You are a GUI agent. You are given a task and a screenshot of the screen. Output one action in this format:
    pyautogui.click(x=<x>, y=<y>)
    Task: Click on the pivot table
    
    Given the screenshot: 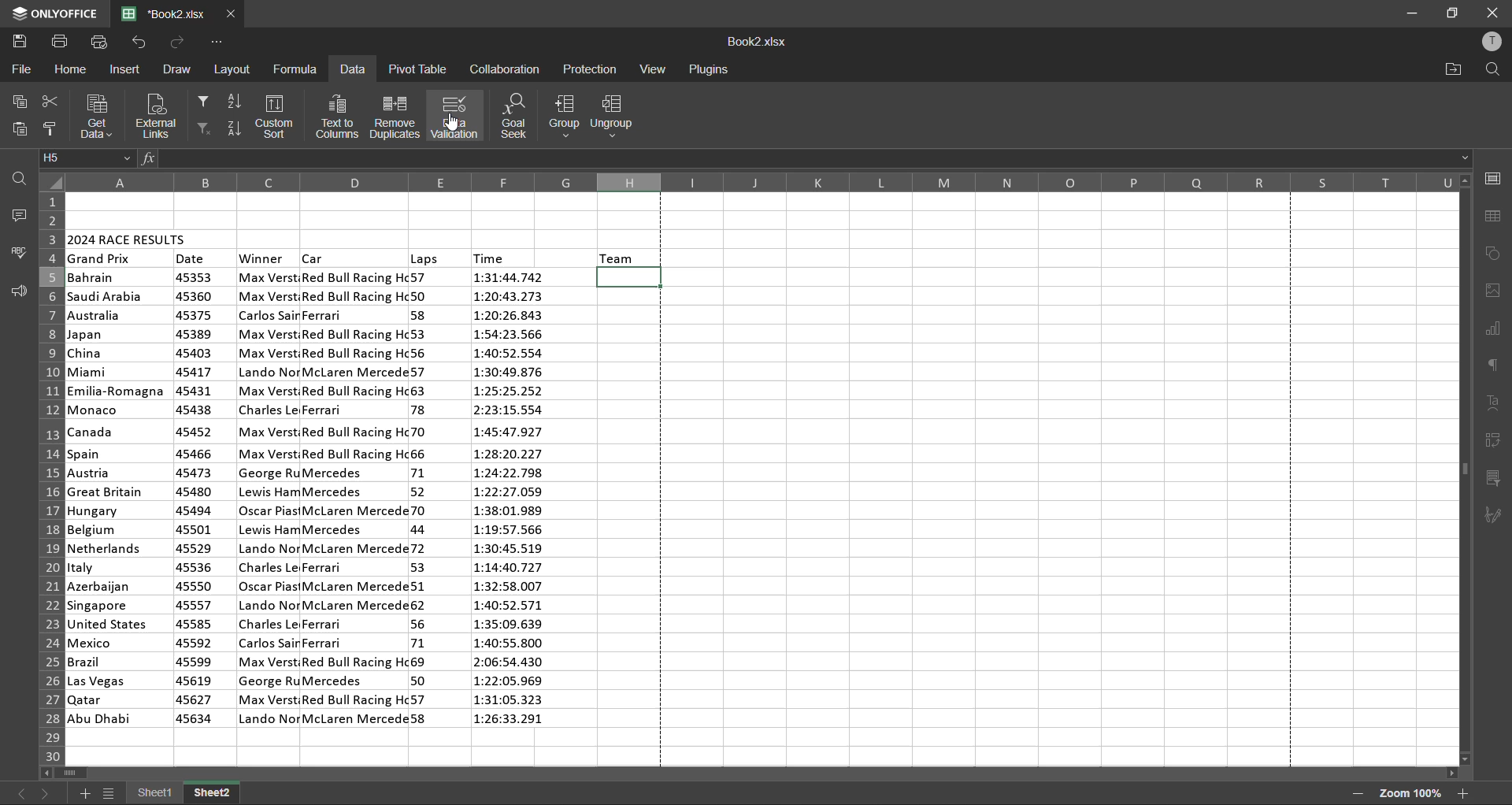 What is the action you would take?
    pyautogui.click(x=1494, y=441)
    